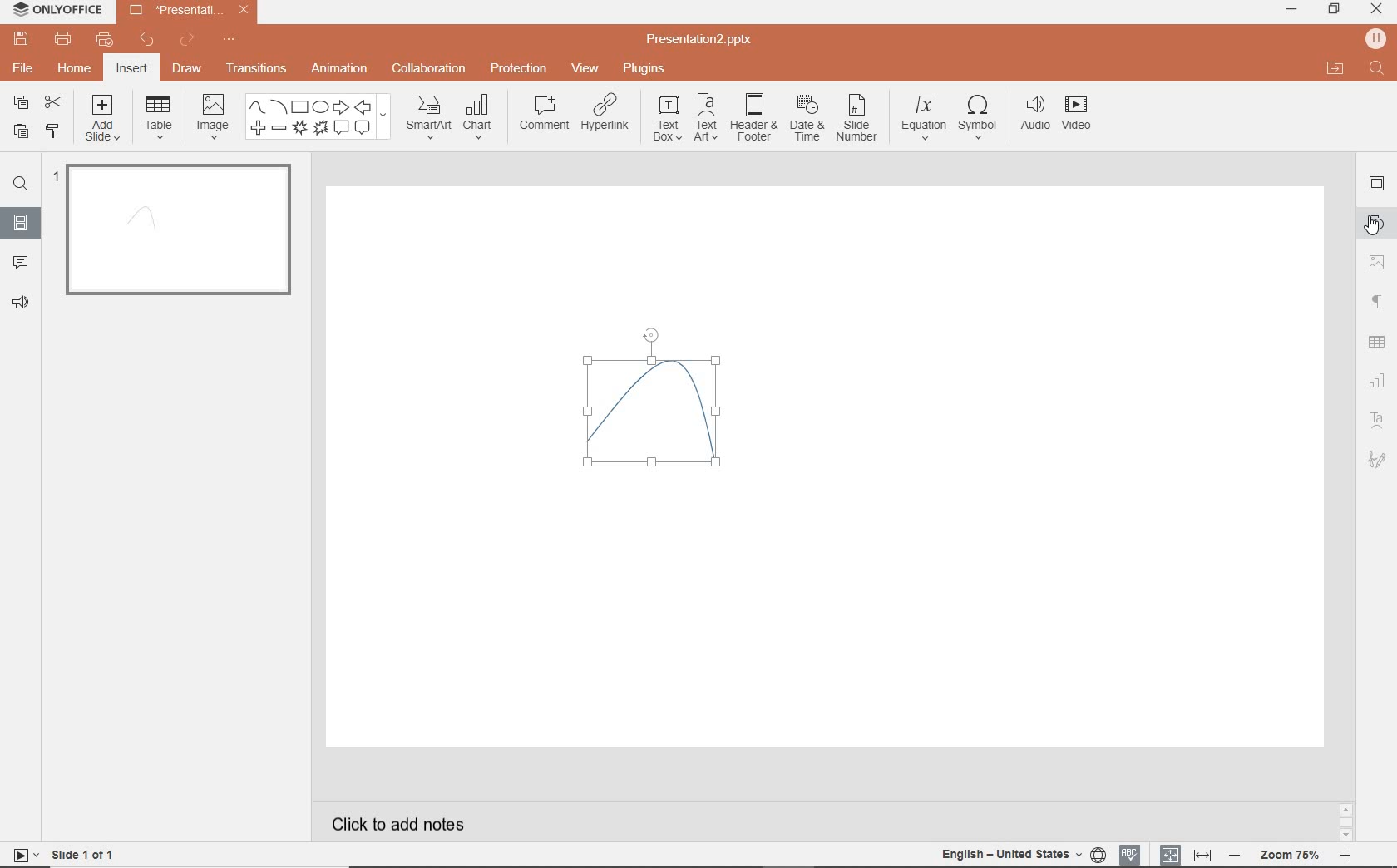 This screenshot has height=868, width=1397. I want to click on TEXTART, so click(706, 119).